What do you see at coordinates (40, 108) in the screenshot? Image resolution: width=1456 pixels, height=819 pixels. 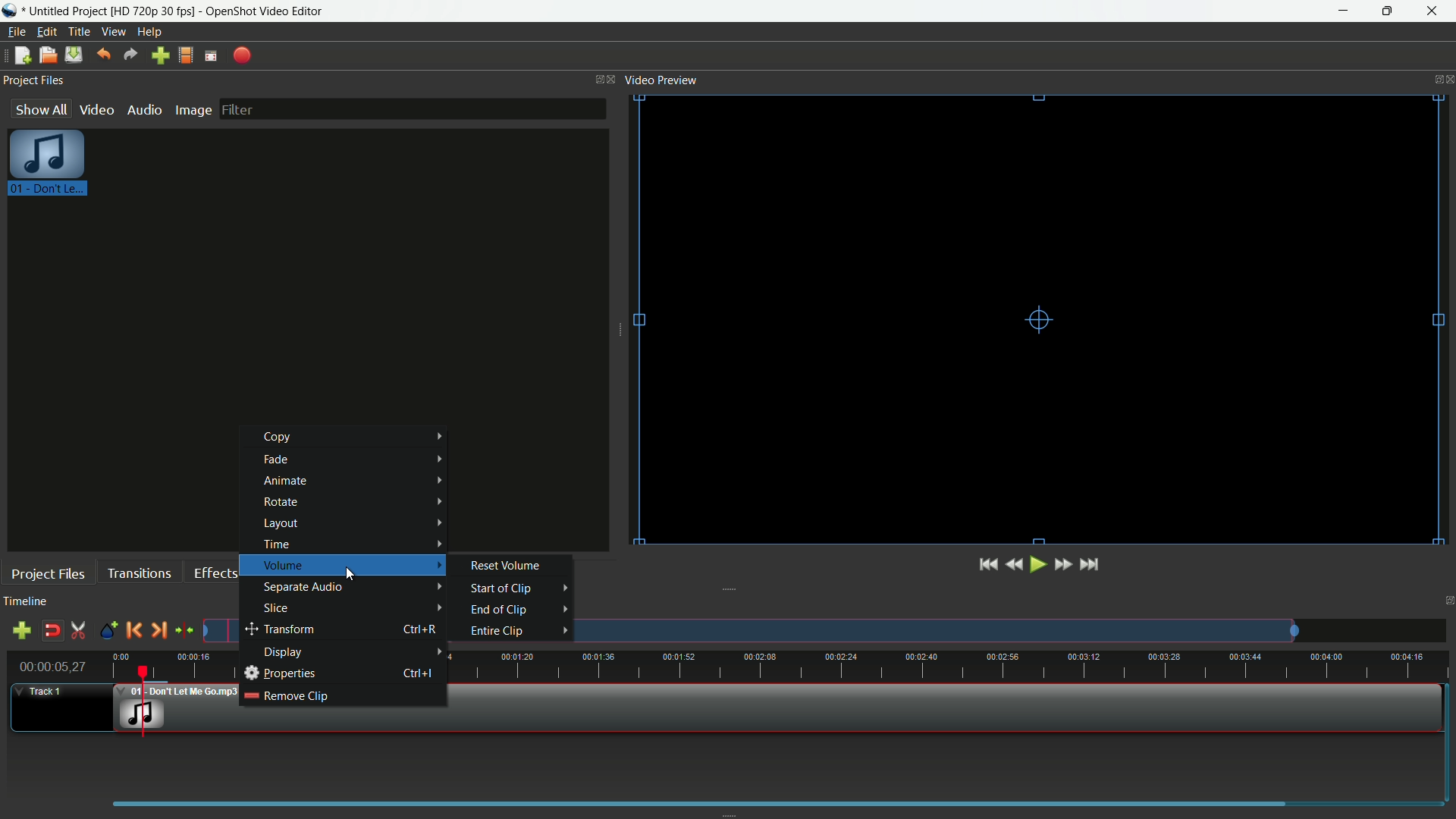 I see `show all` at bounding box center [40, 108].